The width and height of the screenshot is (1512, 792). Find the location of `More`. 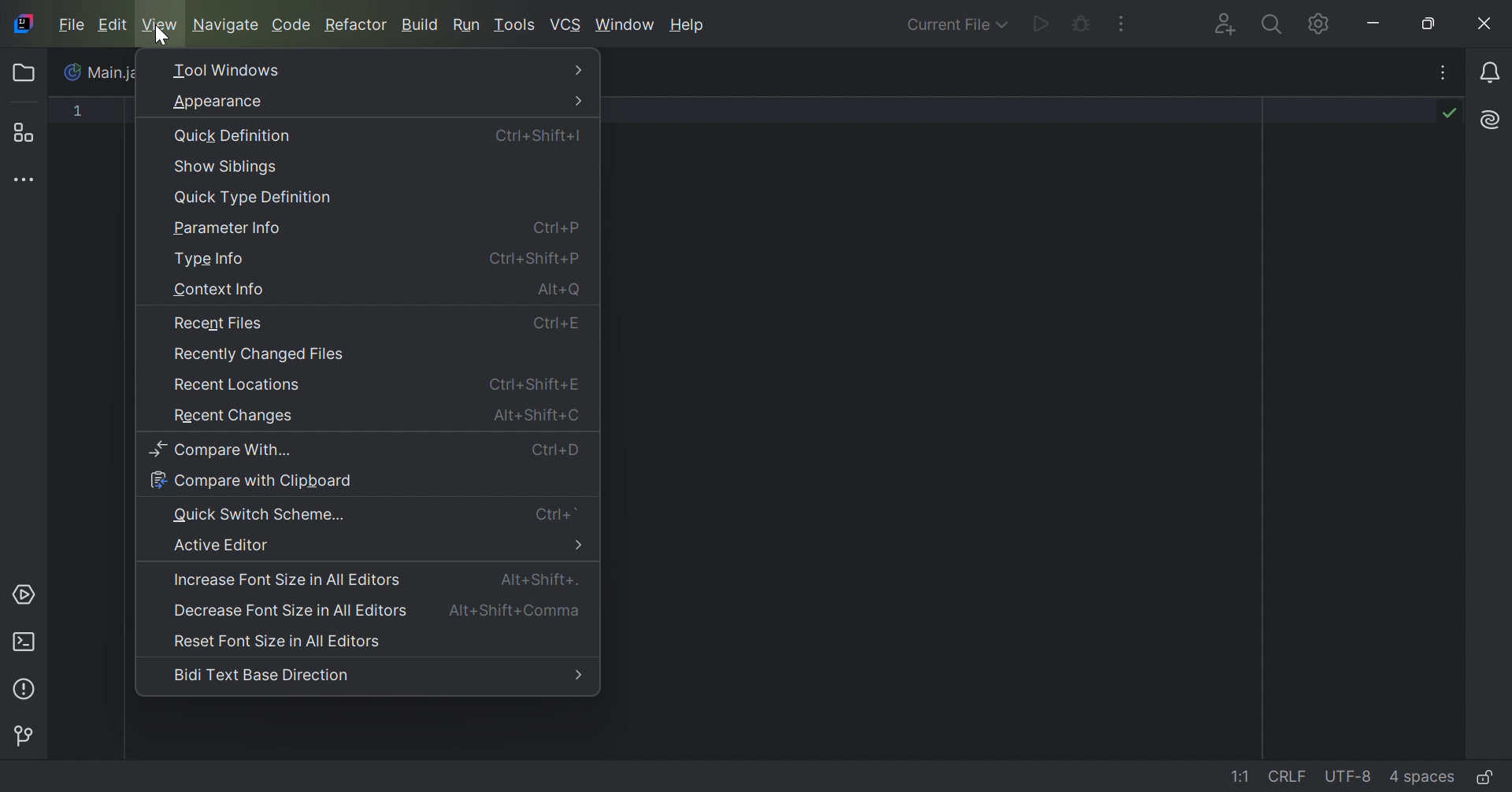

More is located at coordinates (580, 546).